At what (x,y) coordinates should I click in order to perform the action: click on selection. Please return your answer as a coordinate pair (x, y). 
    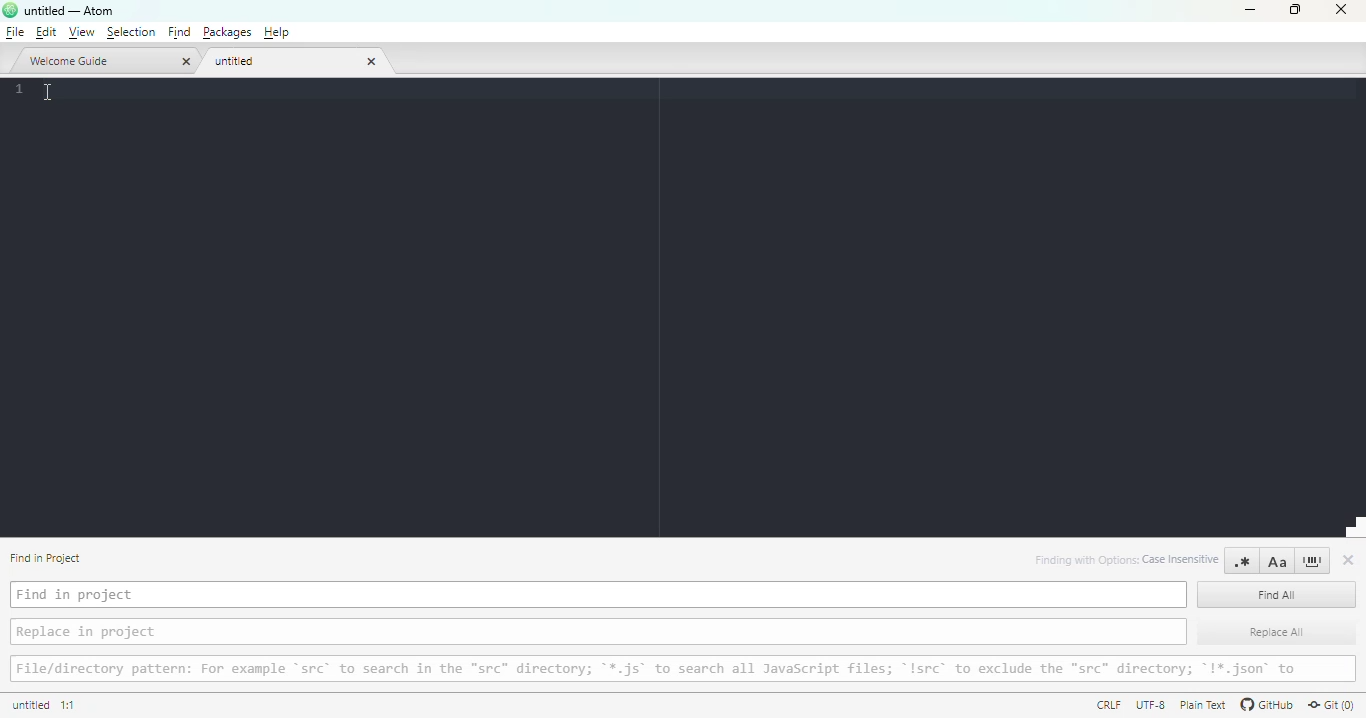
    Looking at the image, I should click on (132, 32).